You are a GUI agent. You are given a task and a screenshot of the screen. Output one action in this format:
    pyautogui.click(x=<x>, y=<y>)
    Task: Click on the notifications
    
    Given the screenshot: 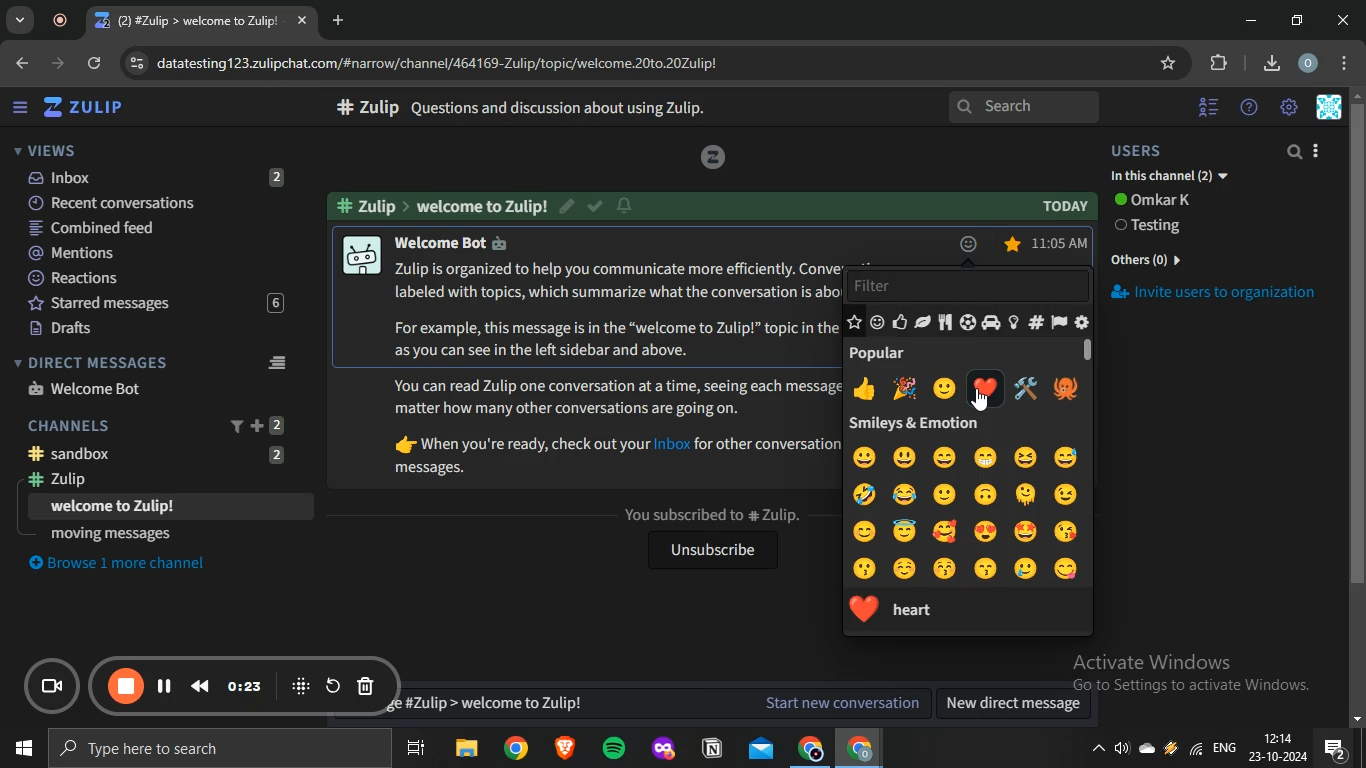 What is the action you would take?
    pyautogui.click(x=1335, y=749)
    